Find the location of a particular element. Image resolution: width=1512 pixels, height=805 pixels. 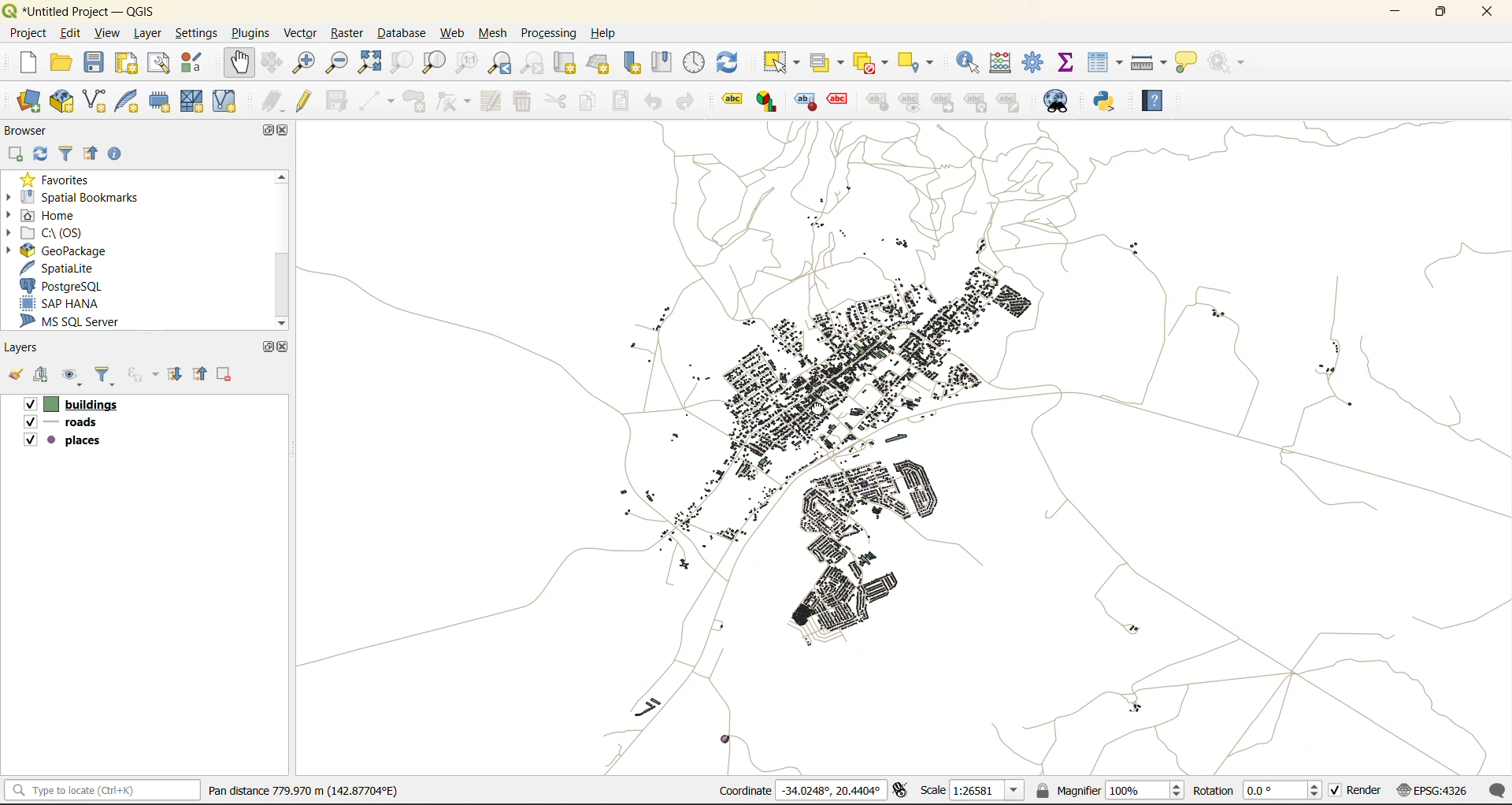

scale is located at coordinates (972, 792).